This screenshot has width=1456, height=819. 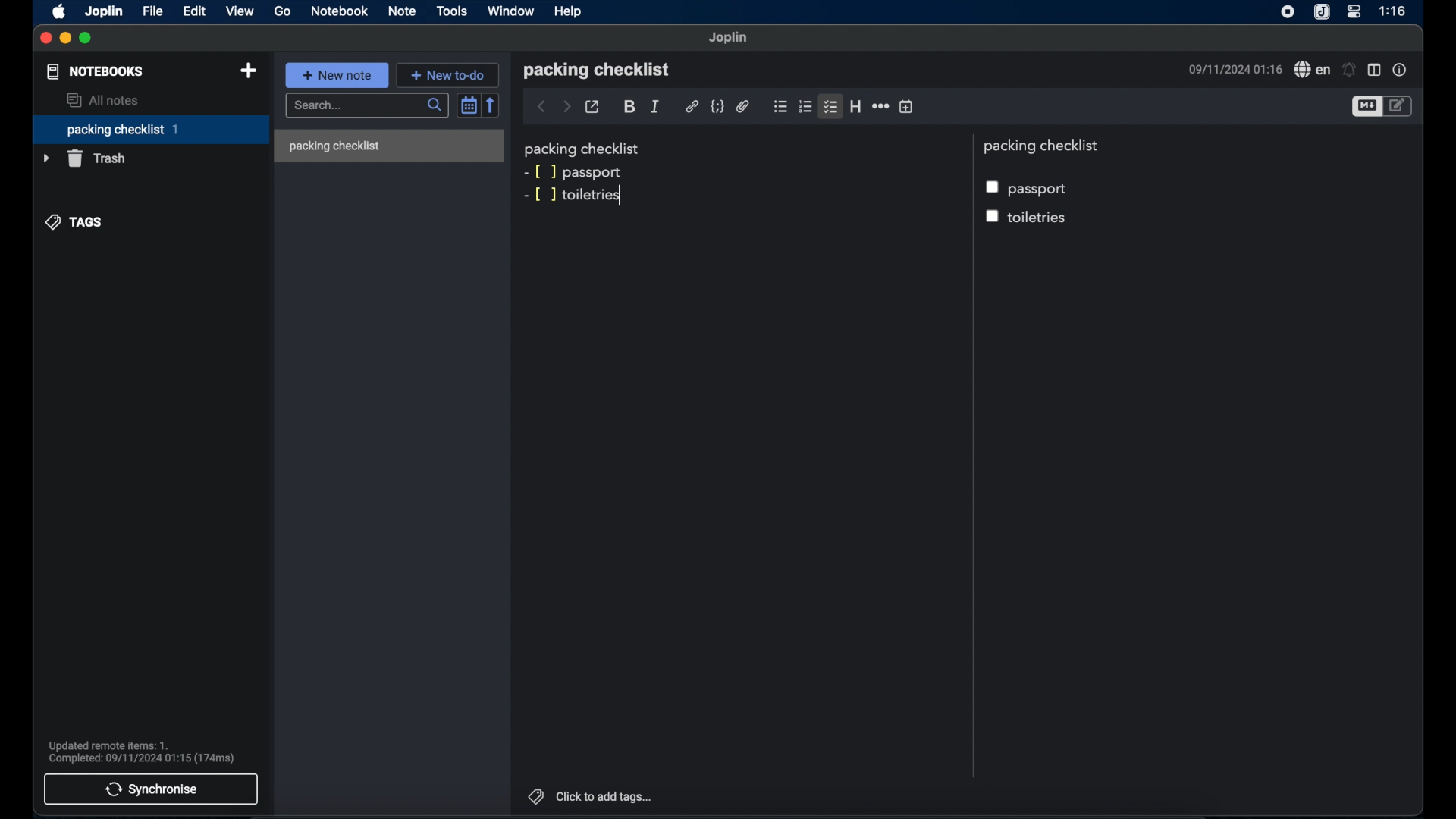 What do you see at coordinates (539, 171) in the screenshot?
I see `markdown syntax` at bounding box center [539, 171].